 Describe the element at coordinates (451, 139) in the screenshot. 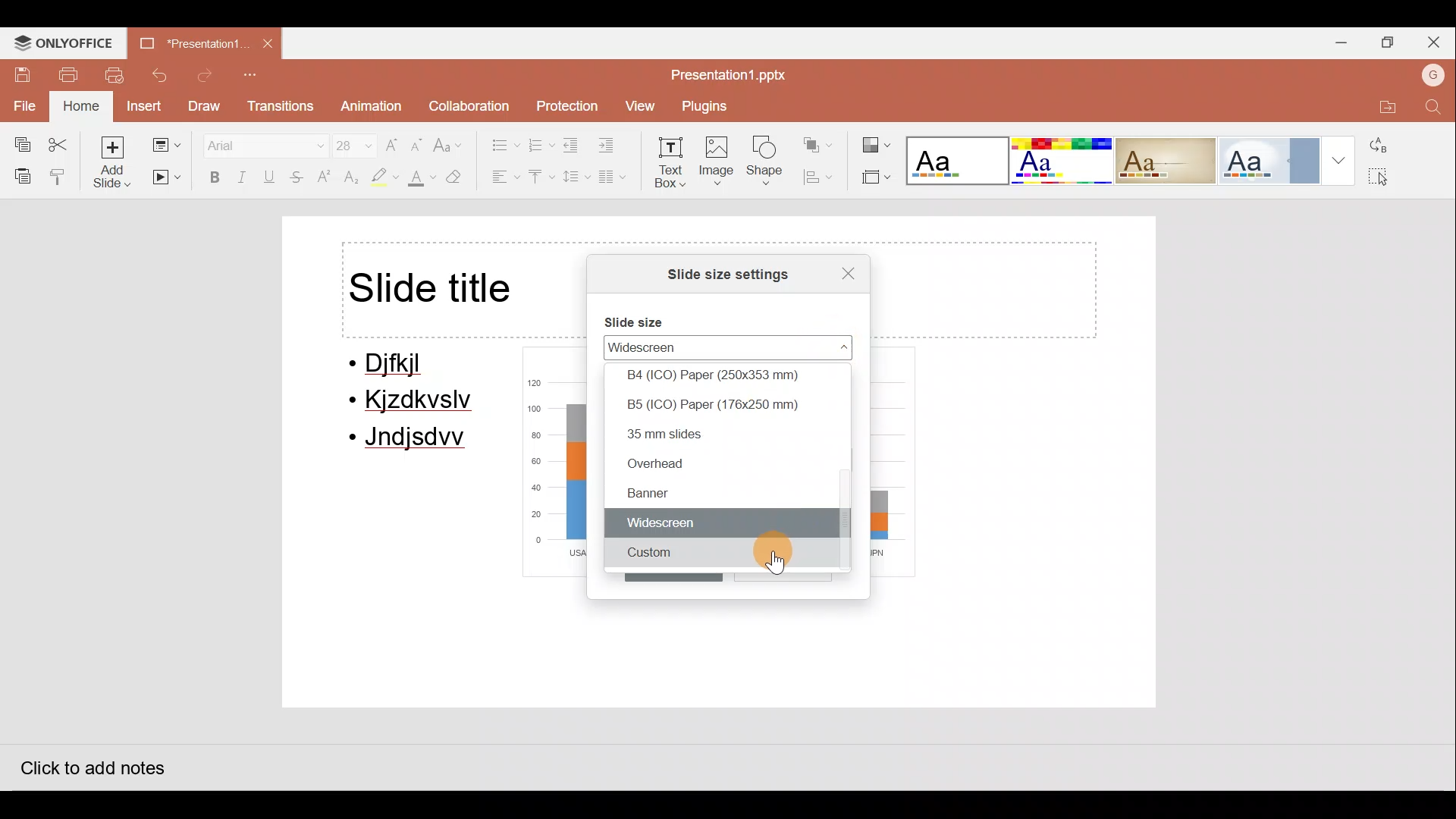

I see `Change case` at that location.